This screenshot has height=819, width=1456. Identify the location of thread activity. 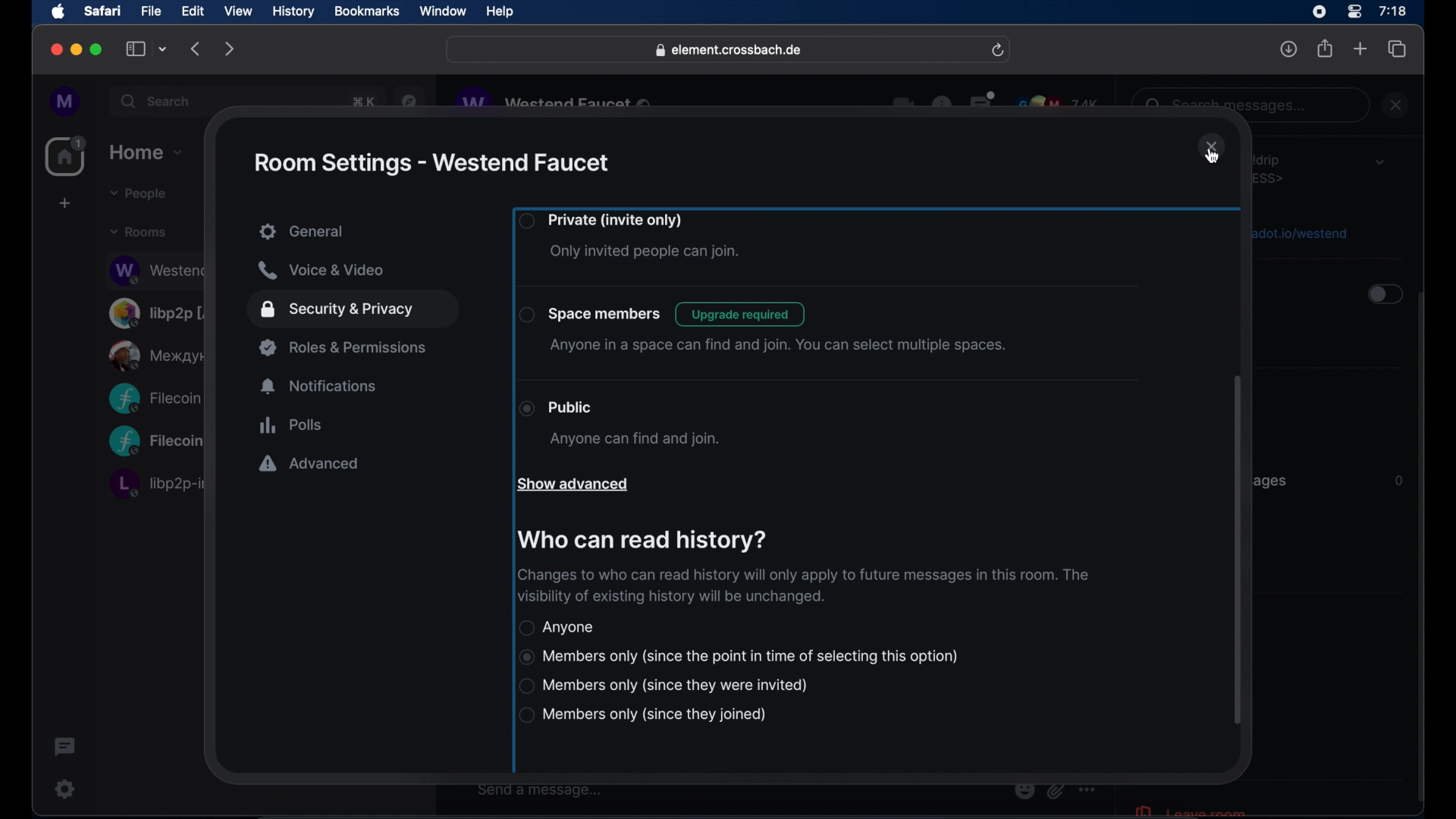
(66, 747).